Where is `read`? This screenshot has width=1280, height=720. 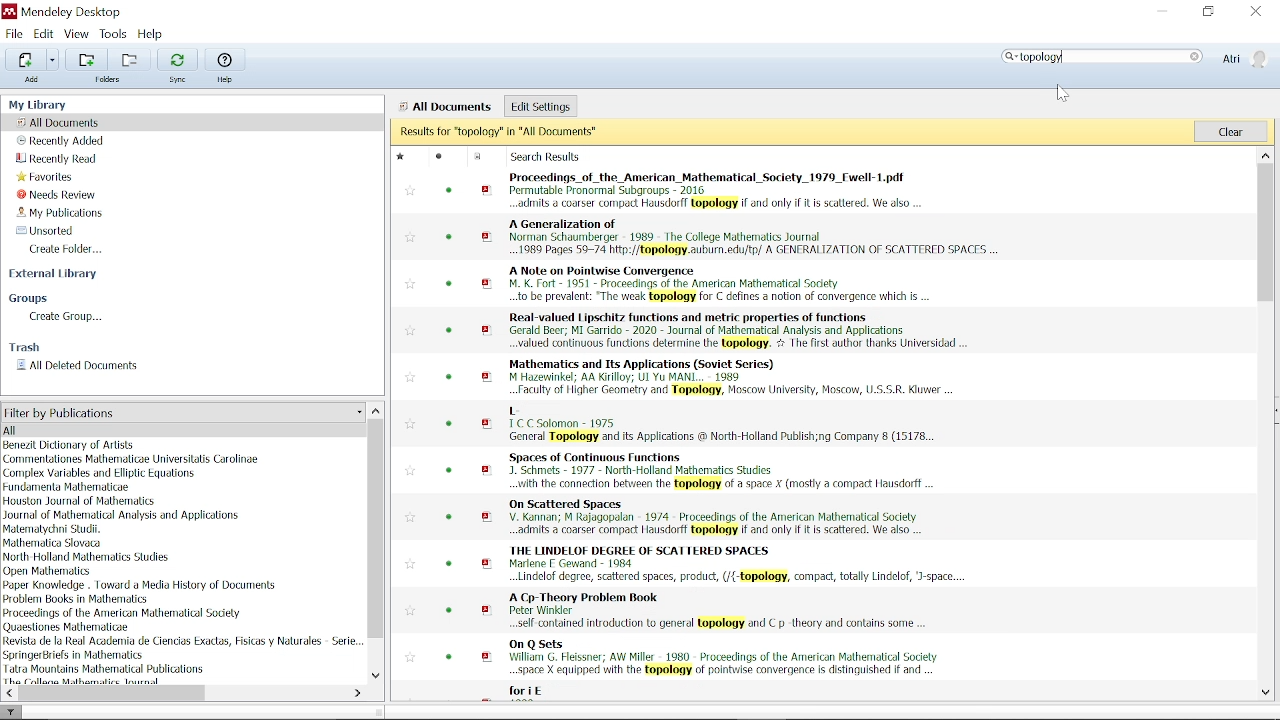 read is located at coordinates (451, 237).